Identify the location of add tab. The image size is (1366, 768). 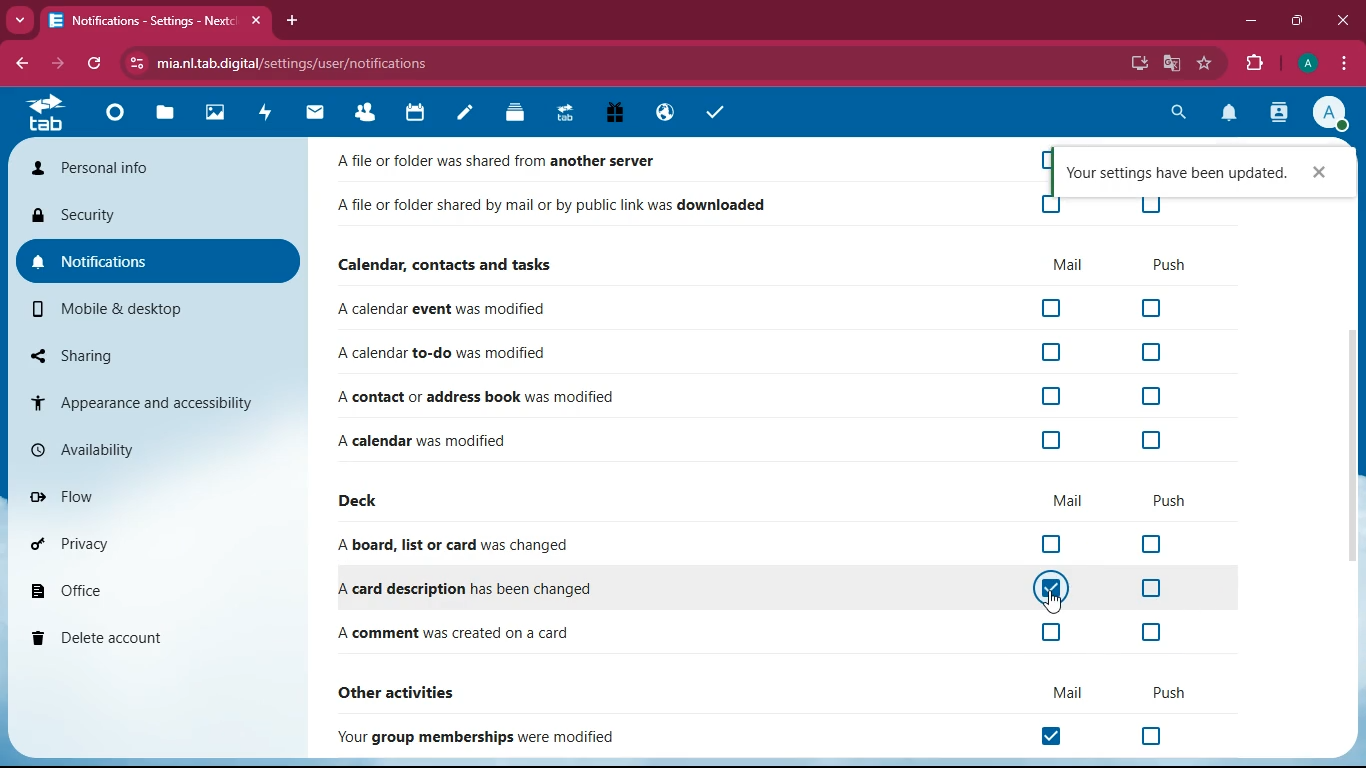
(291, 20).